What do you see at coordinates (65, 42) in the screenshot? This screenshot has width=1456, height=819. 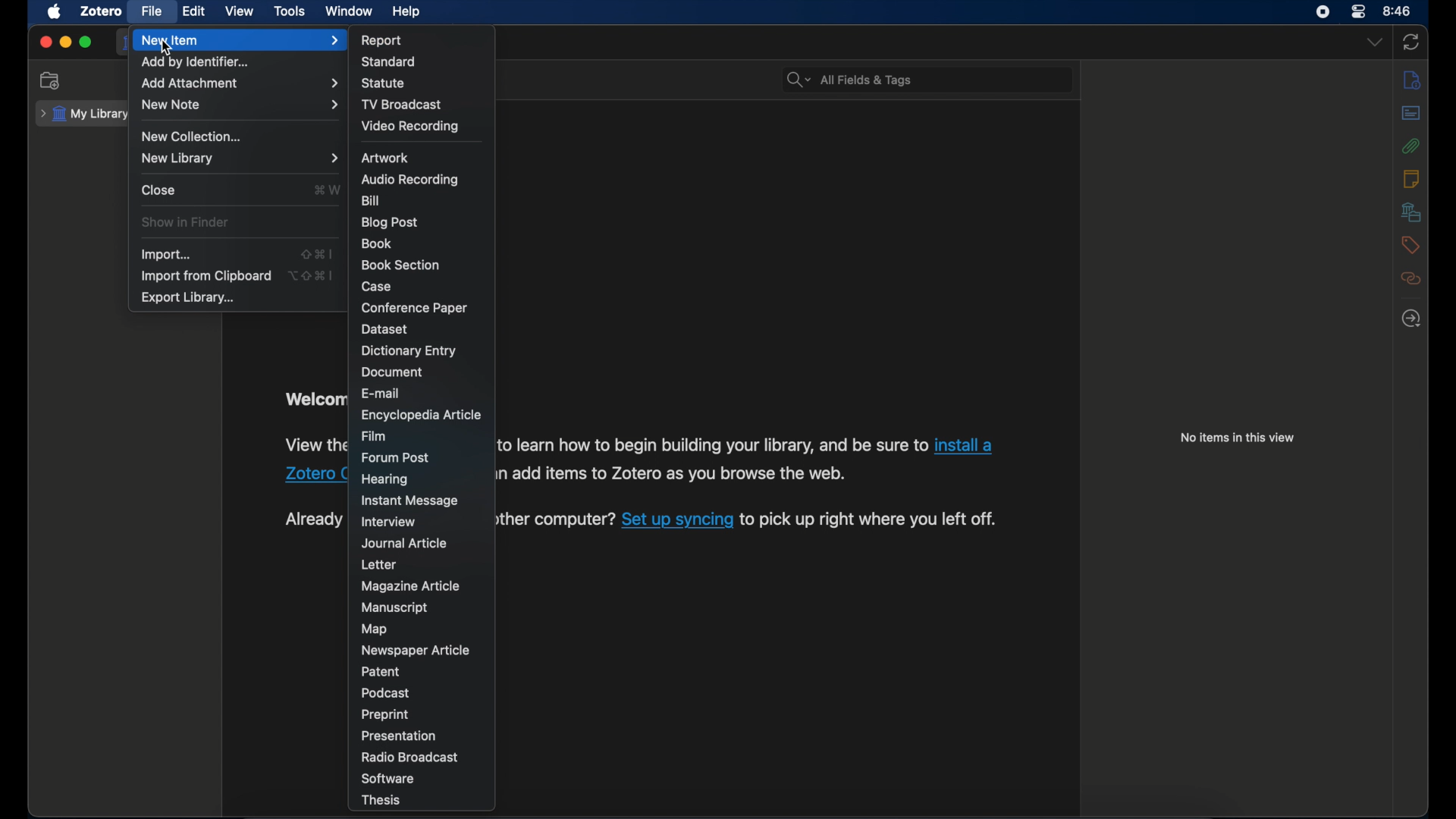 I see `minimize` at bounding box center [65, 42].